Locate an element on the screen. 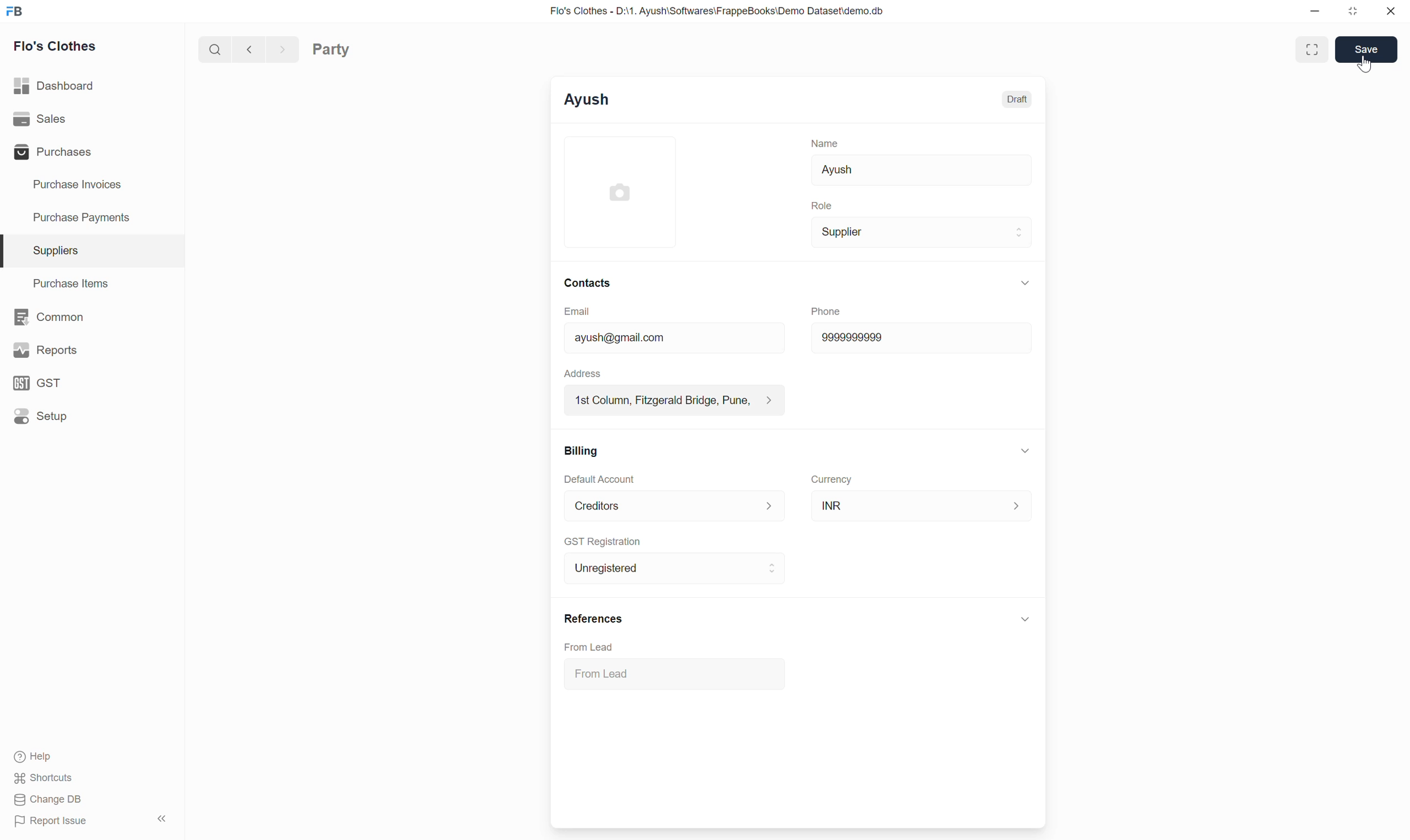  Supplier is located at coordinates (921, 232).